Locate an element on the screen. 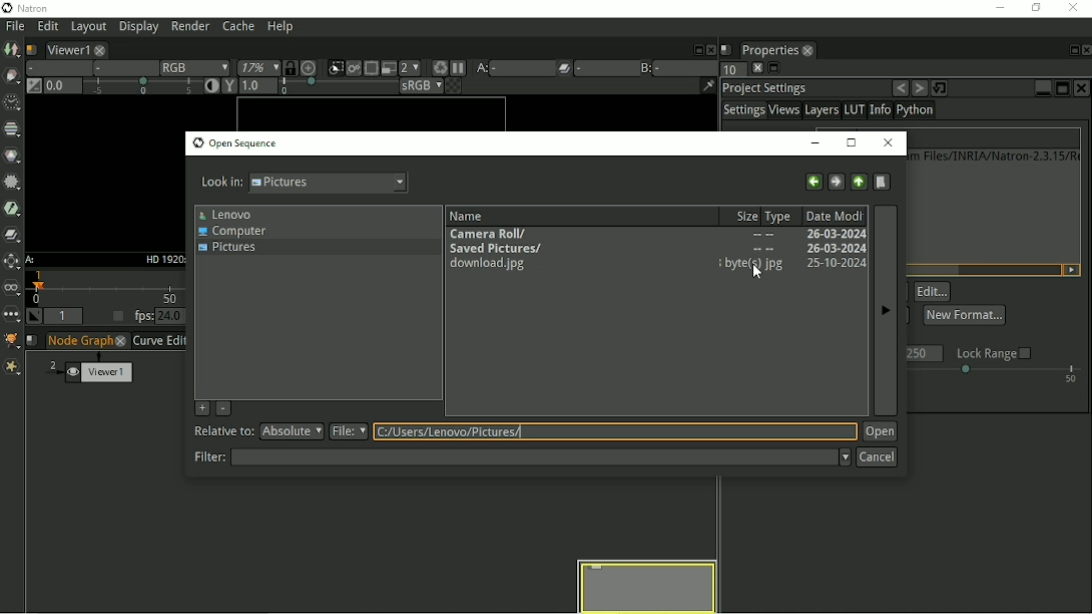 The width and height of the screenshot is (1092, 614). RGB is located at coordinates (191, 67).